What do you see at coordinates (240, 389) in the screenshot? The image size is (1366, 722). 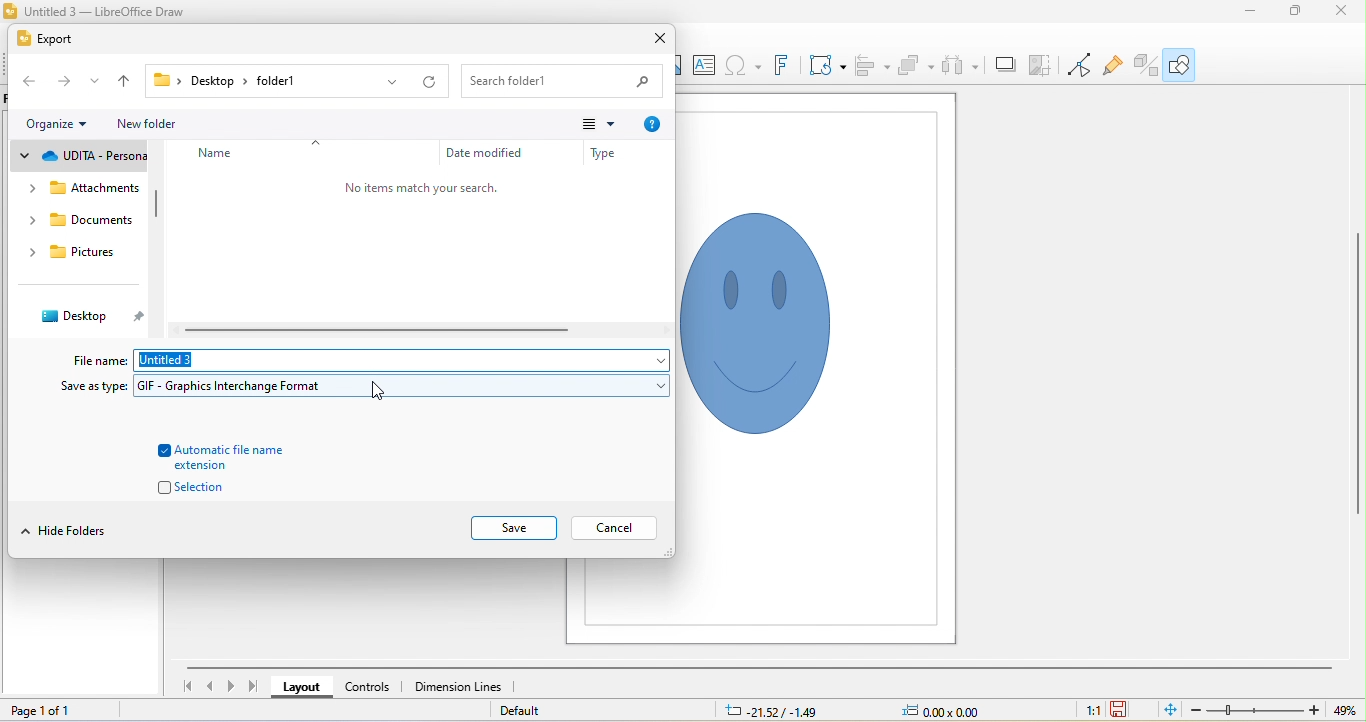 I see `GIF format` at bounding box center [240, 389].